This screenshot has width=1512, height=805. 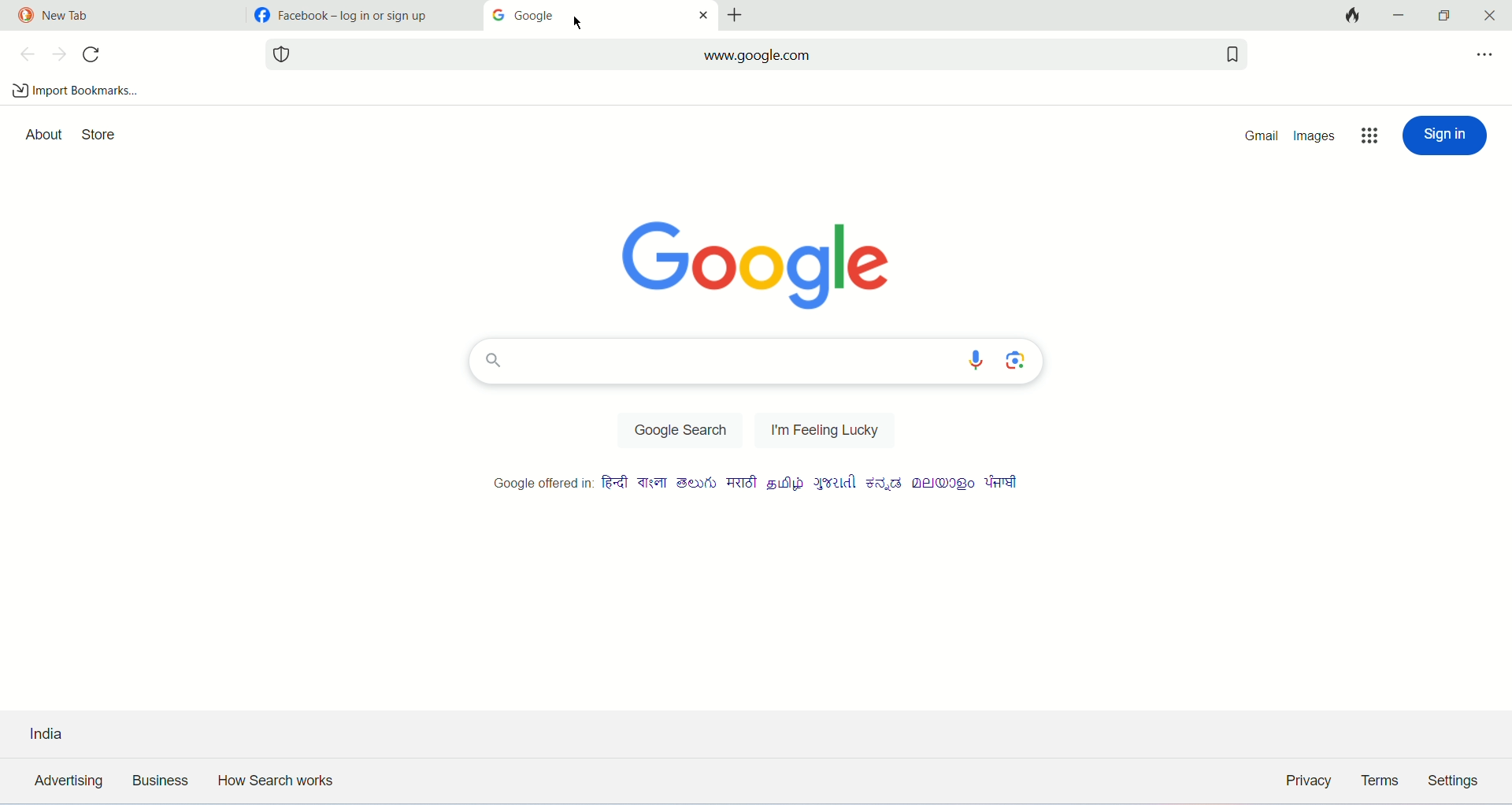 What do you see at coordinates (1306, 782) in the screenshot?
I see `privacy` at bounding box center [1306, 782].